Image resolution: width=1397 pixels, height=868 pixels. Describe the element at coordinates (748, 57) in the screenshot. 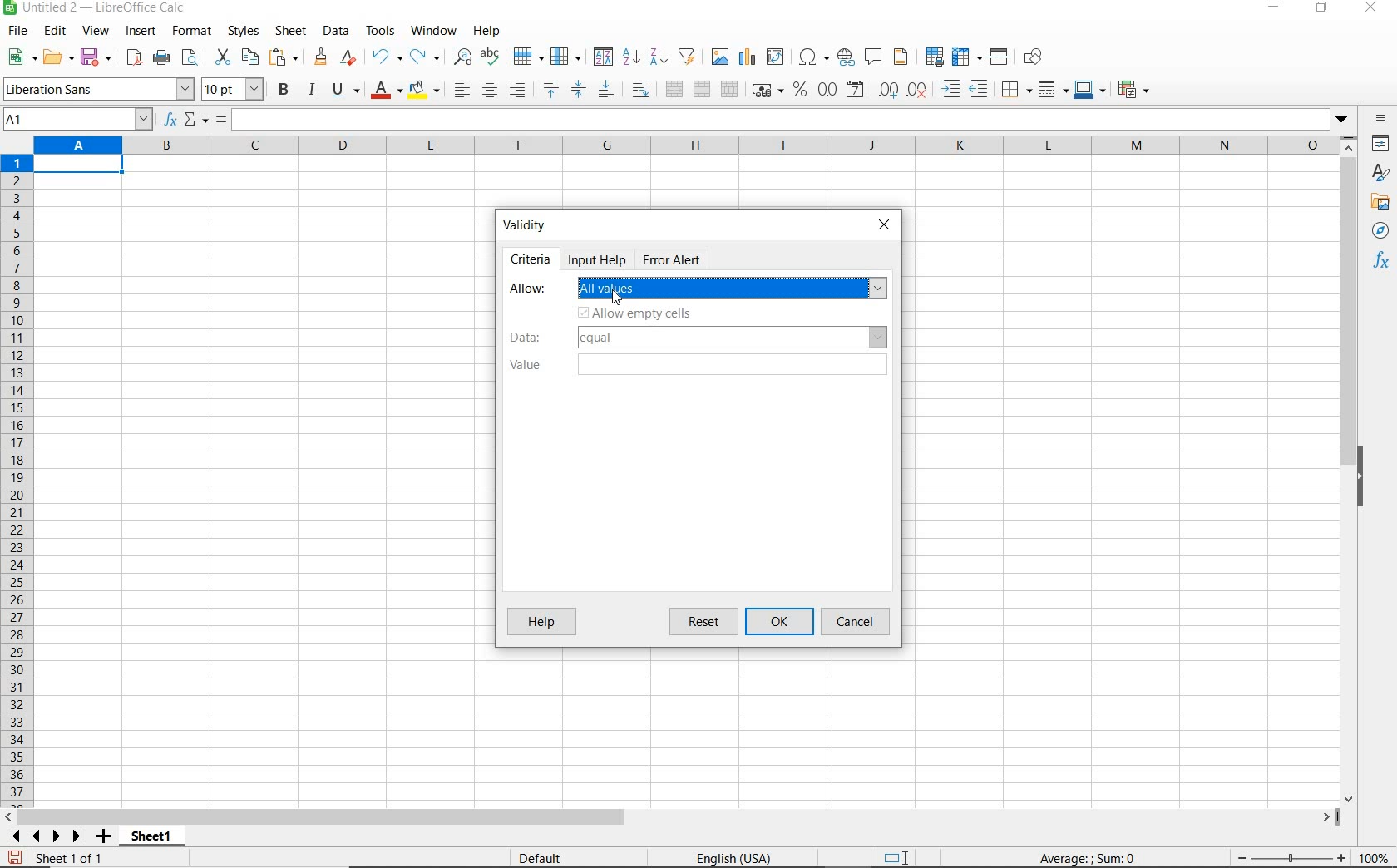

I see `insert chart` at that location.